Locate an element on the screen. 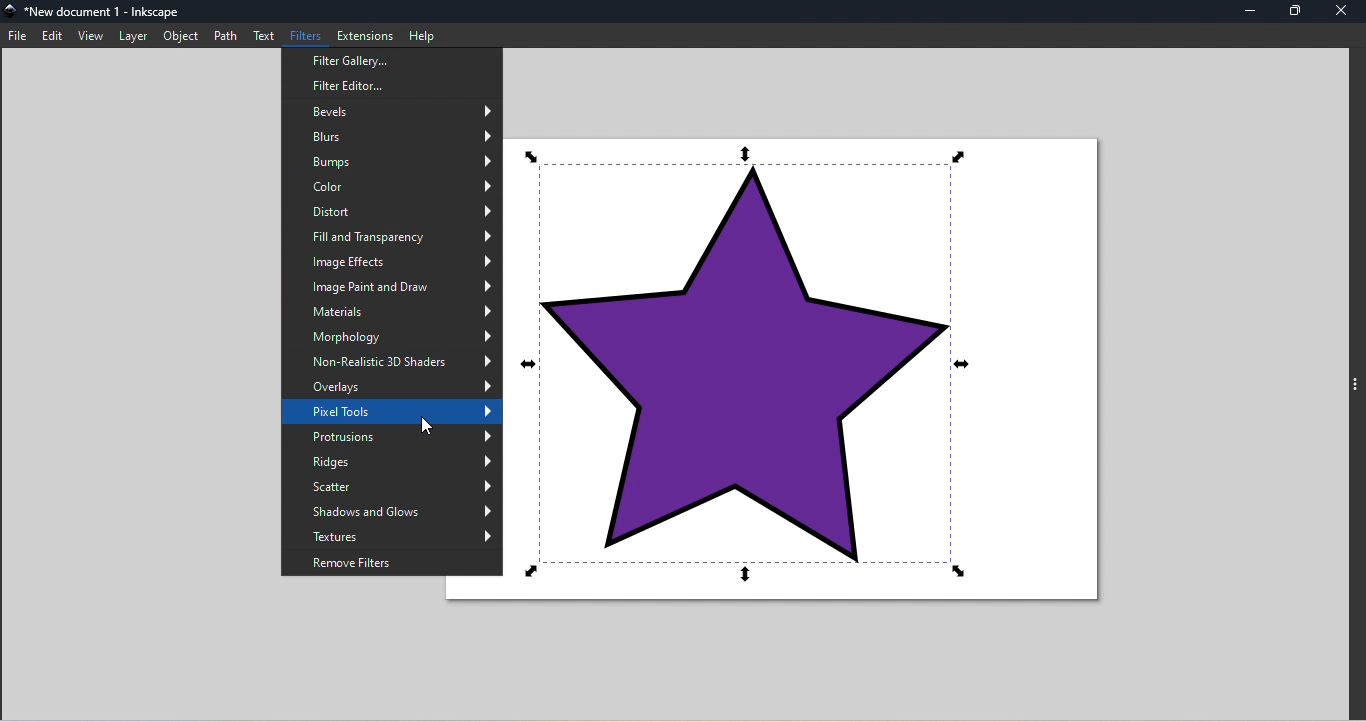  District is located at coordinates (392, 213).